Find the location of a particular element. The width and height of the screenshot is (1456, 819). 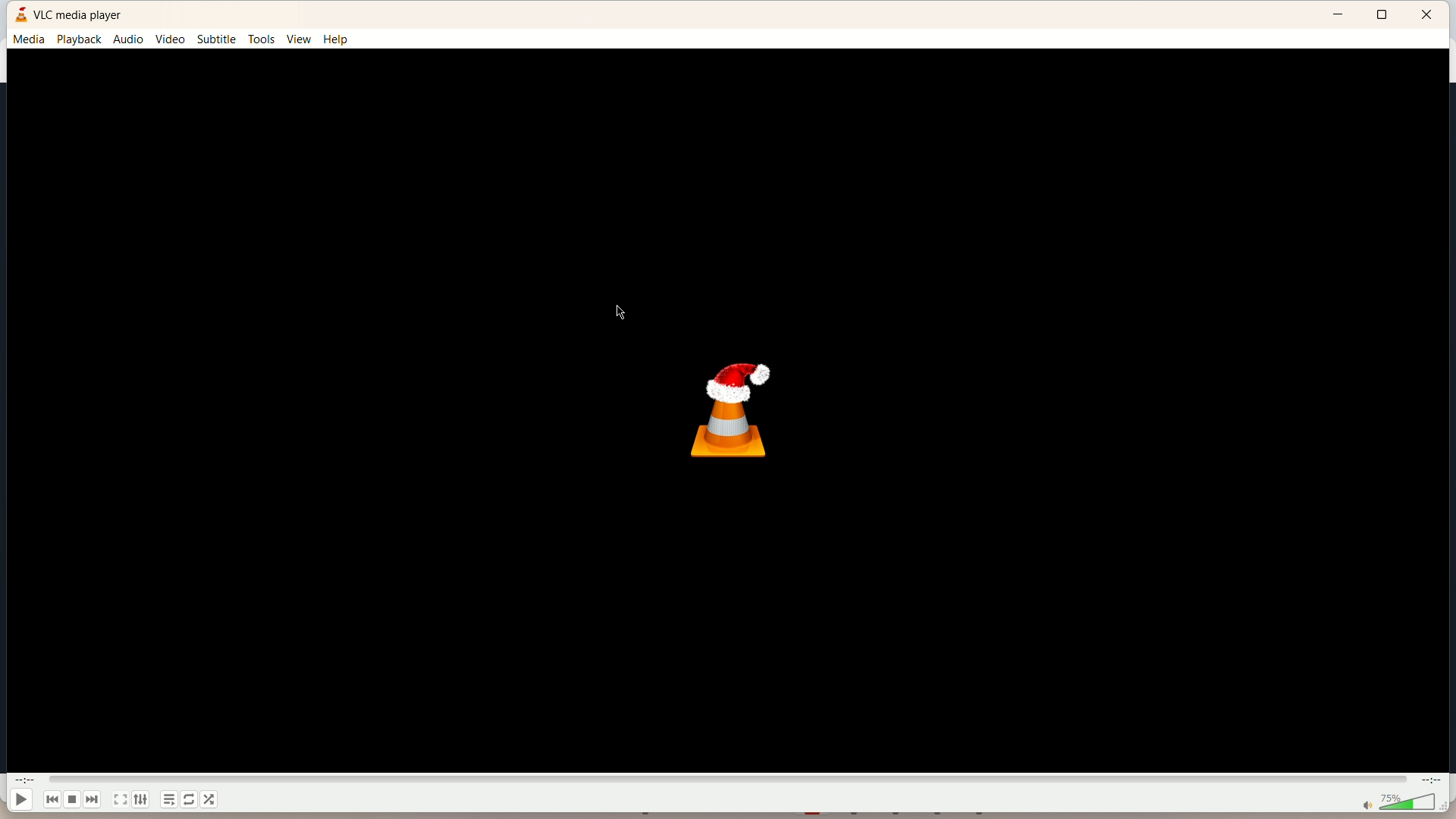

logo is located at coordinates (726, 414).